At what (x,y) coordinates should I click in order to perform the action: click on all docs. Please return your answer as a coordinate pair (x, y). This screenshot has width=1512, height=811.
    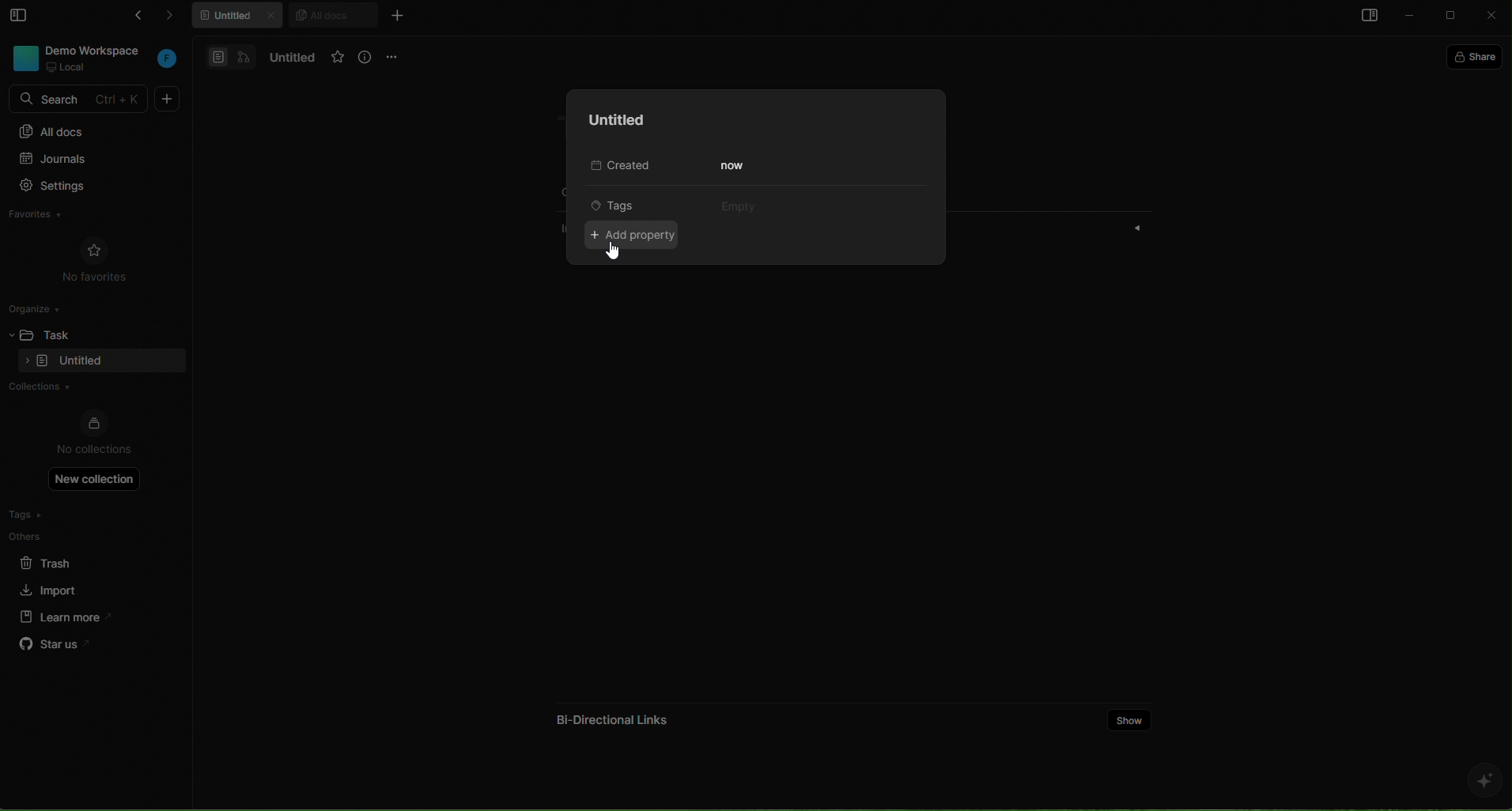
    Looking at the image, I should click on (332, 14).